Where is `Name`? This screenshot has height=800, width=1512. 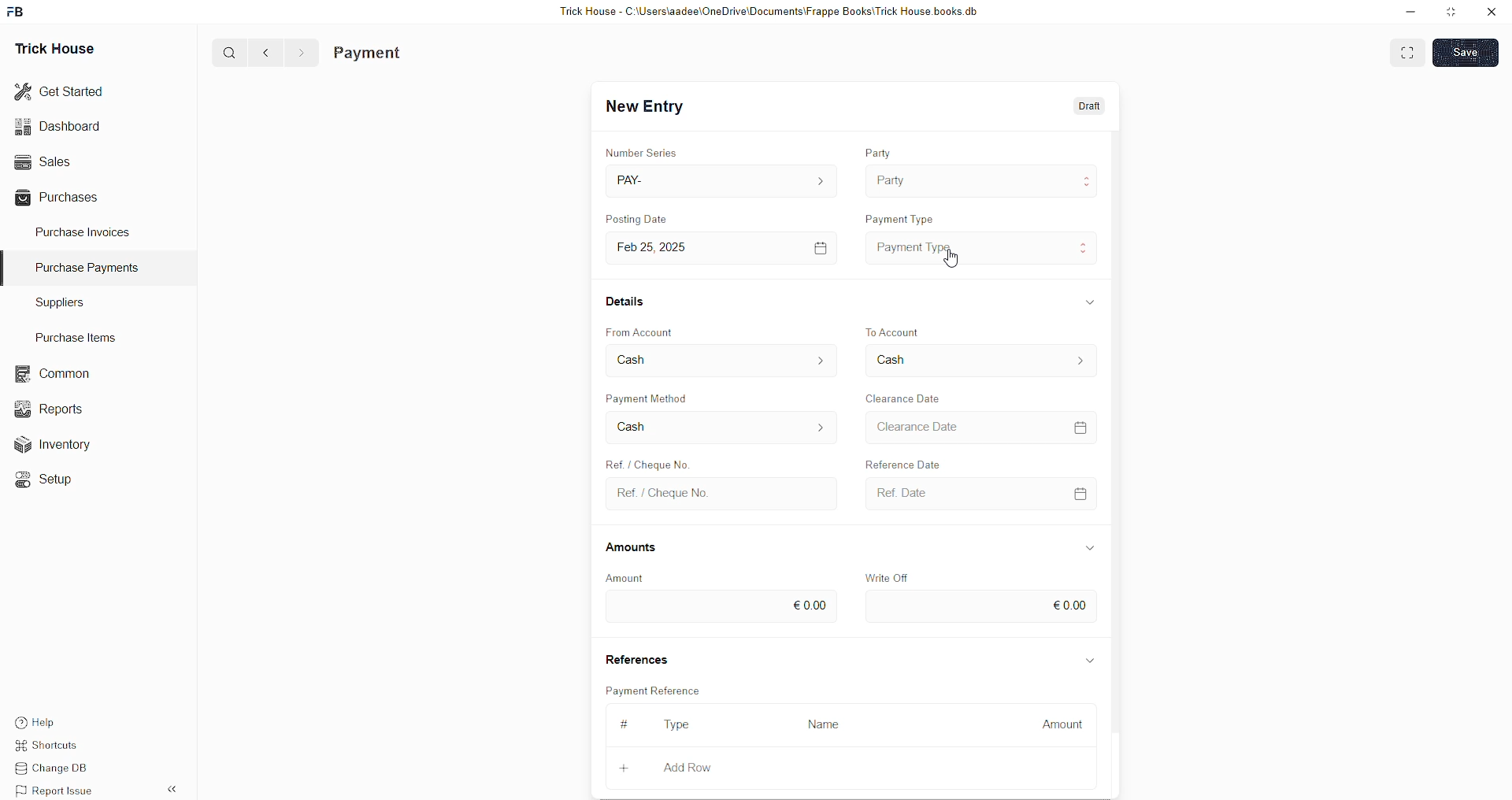
Name is located at coordinates (828, 724).